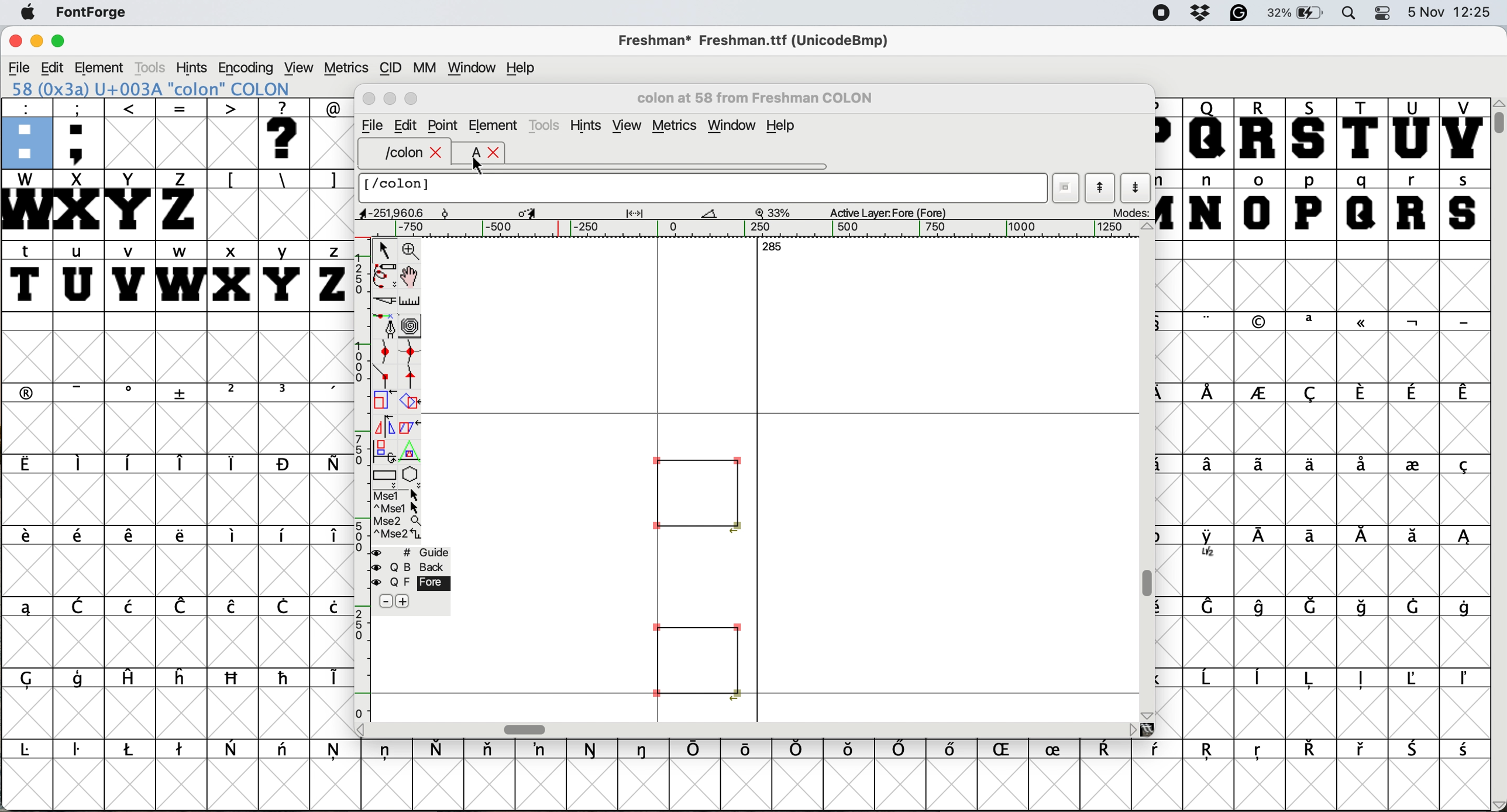  What do you see at coordinates (1007, 751) in the screenshot?
I see `symbol` at bounding box center [1007, 751].